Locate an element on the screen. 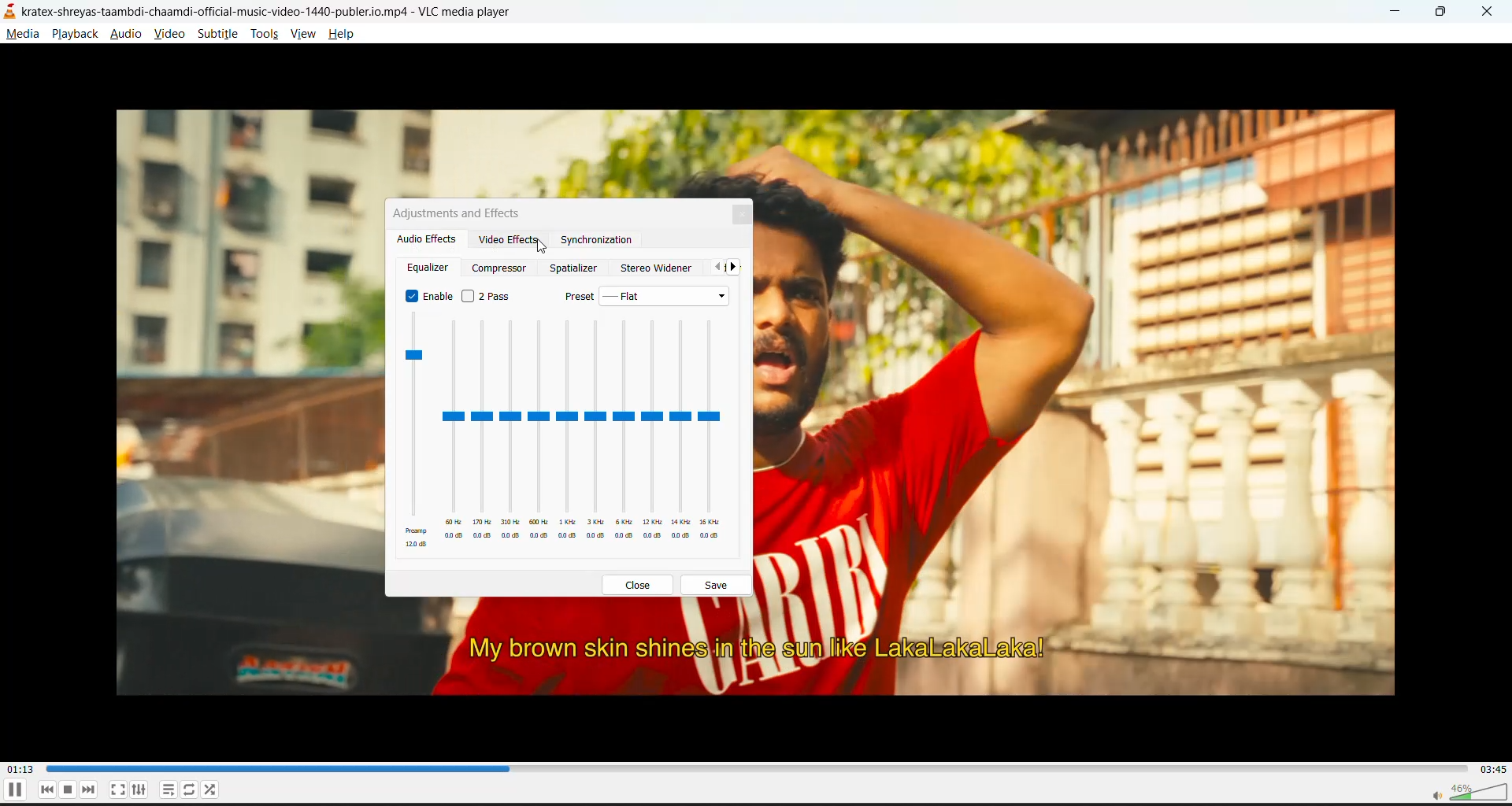  random is located at coordinates (212, 789).